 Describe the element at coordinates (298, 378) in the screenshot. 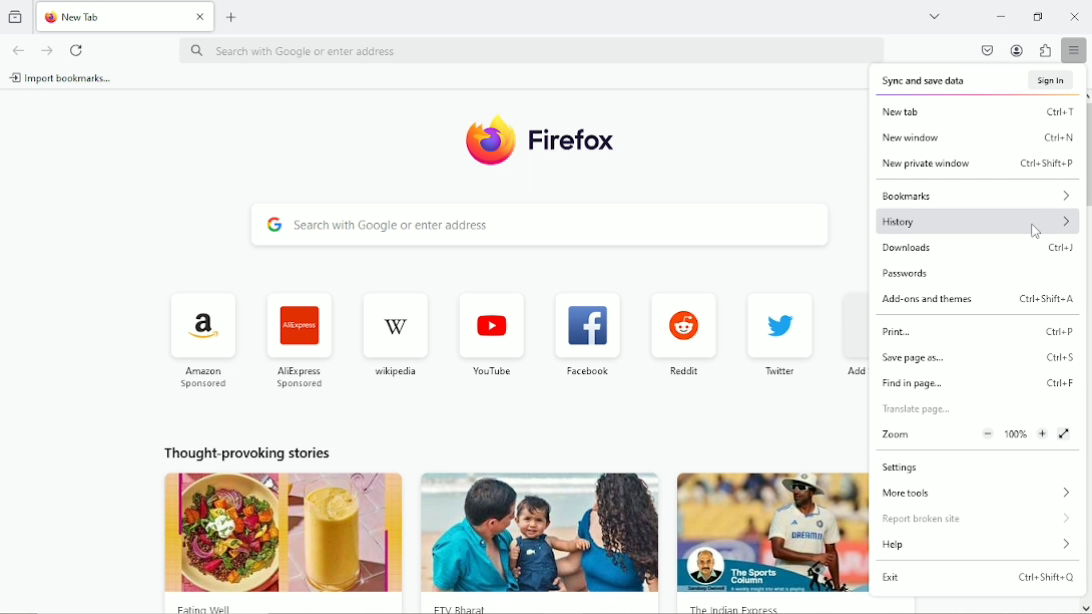

I see `AliExpress` at that location.